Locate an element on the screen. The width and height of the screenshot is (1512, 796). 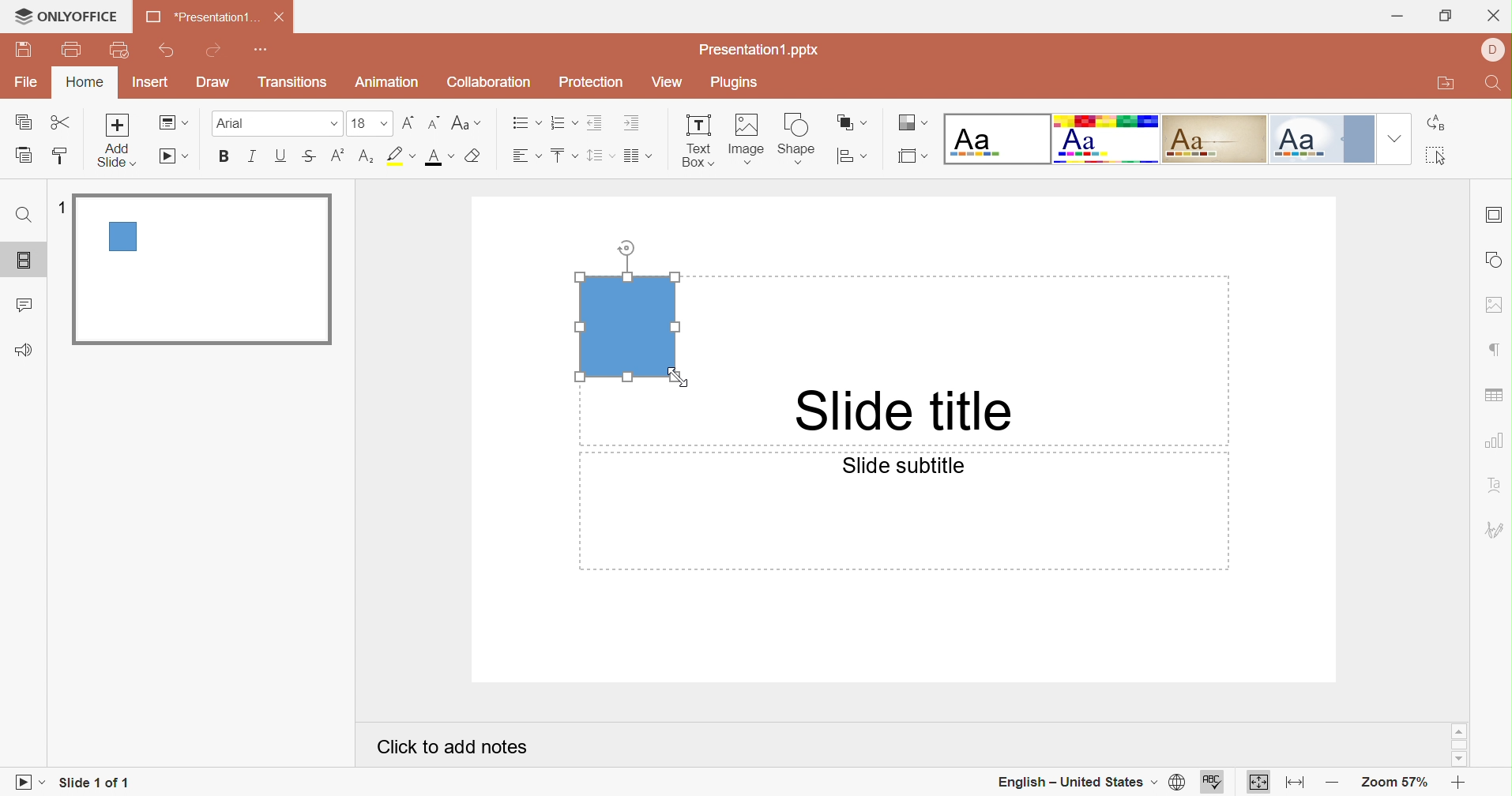
Numbering is located at coordinates (564, 122).